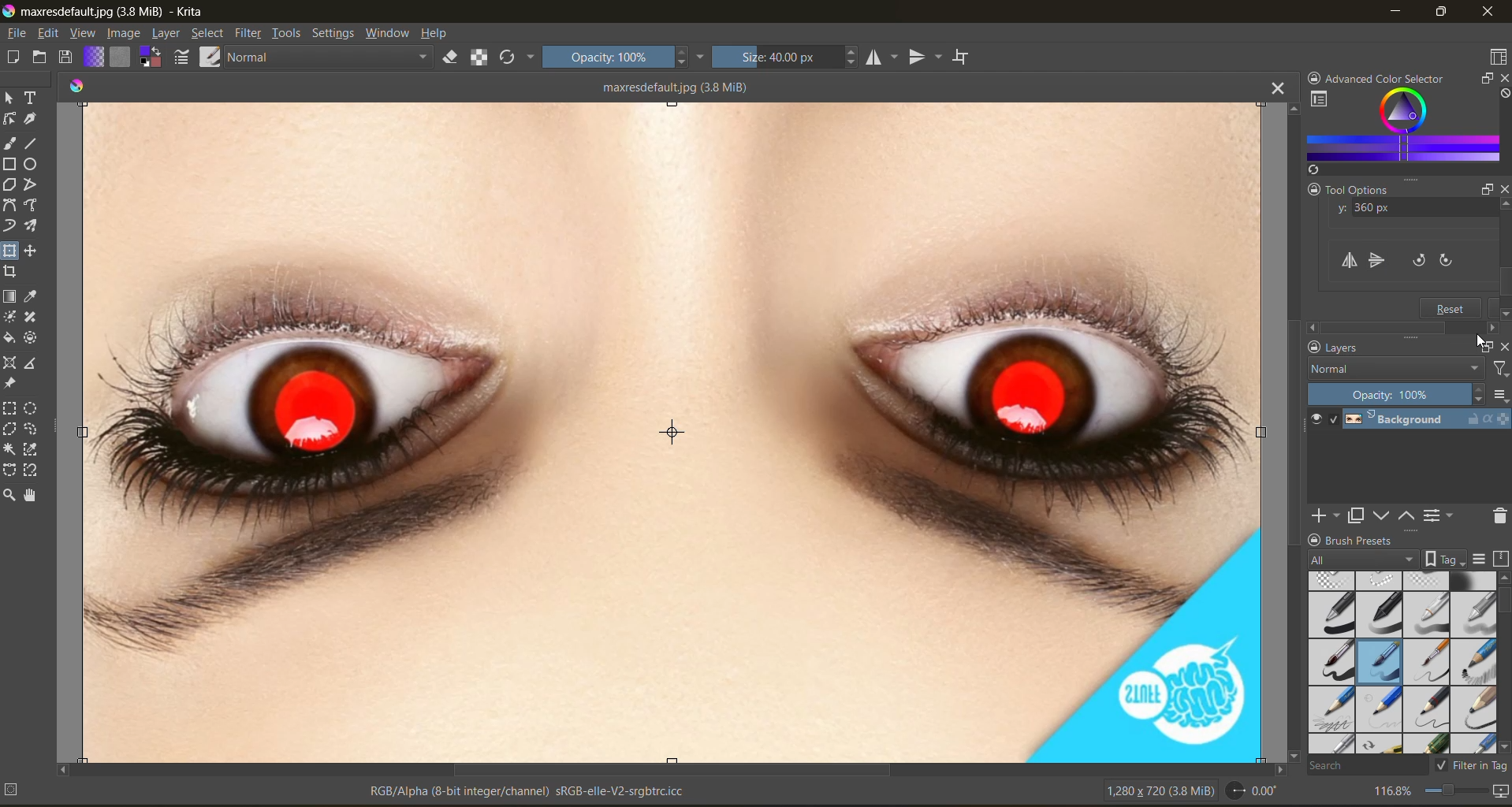 This screenshot has width=1512, height=807. I want to click on tool, so click(30, 337).